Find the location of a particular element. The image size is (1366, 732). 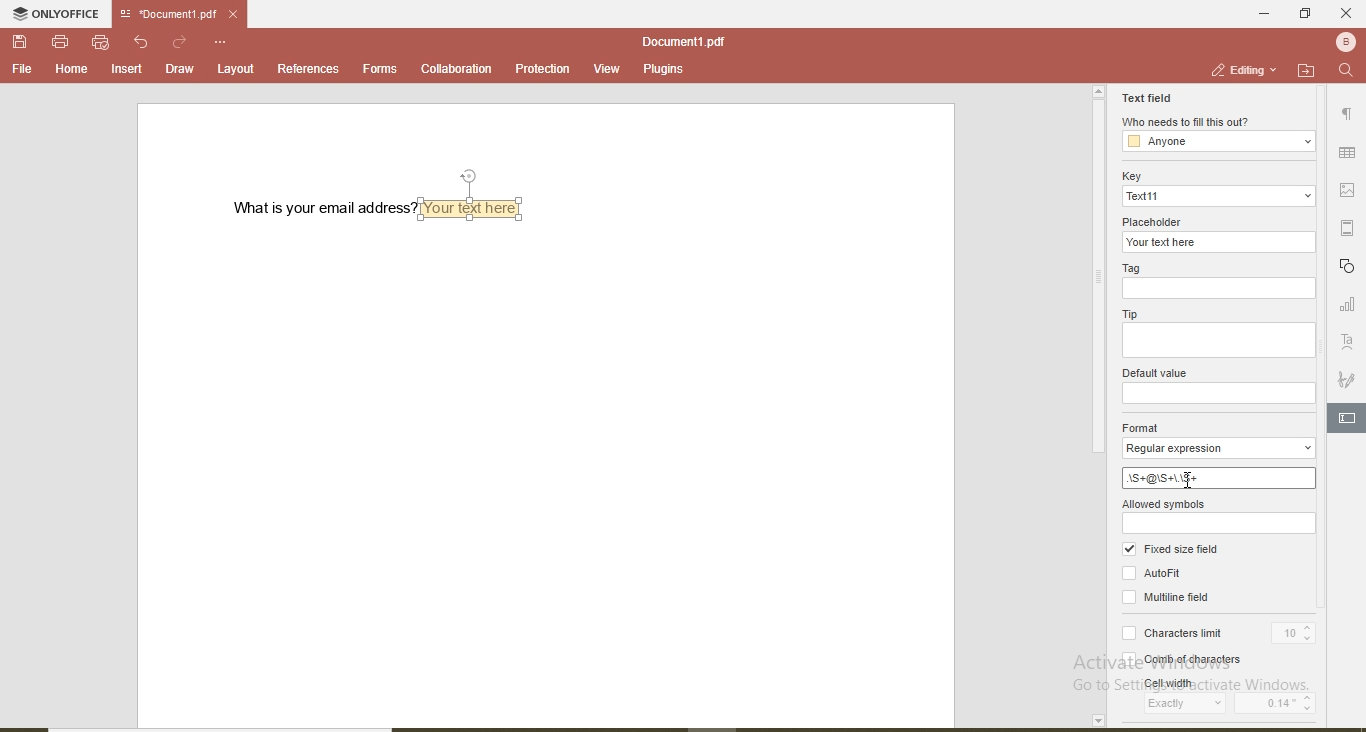

onlyoffice is located at coordinates (59, 16).